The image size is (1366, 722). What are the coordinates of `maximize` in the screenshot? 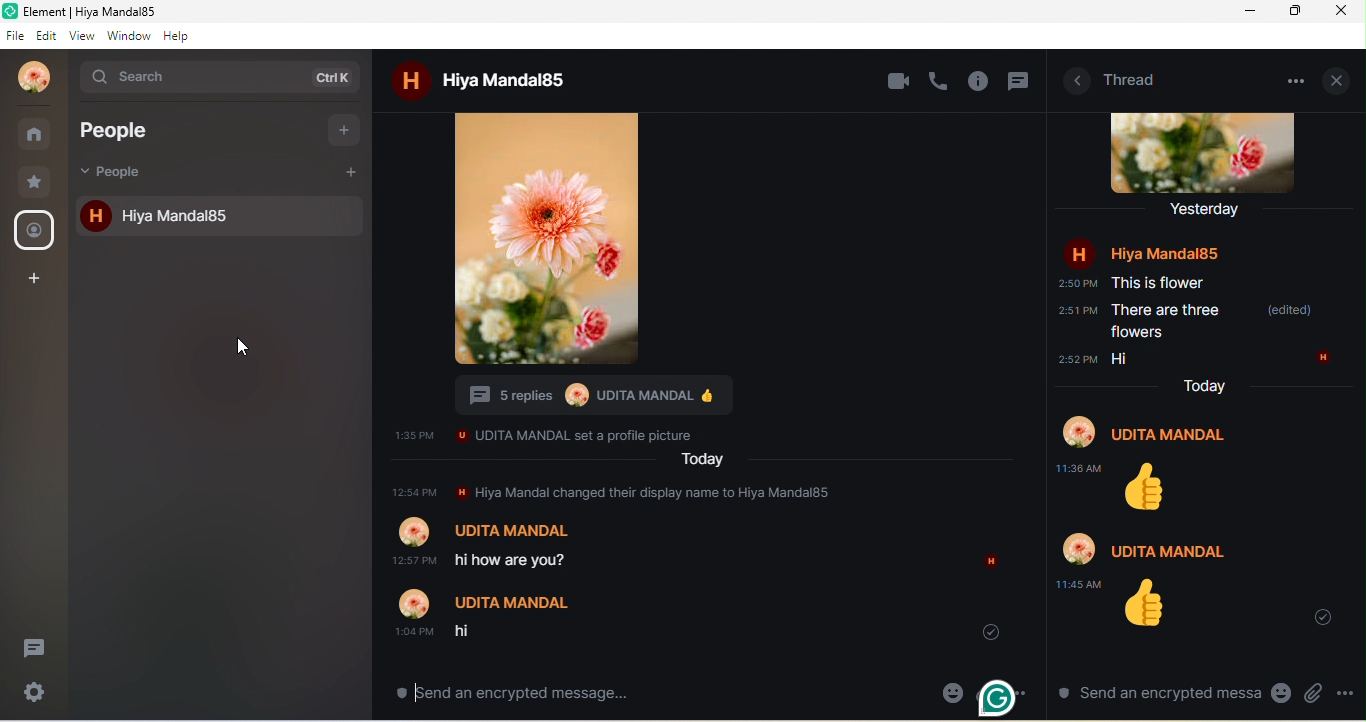 It's located at (1290, 11).